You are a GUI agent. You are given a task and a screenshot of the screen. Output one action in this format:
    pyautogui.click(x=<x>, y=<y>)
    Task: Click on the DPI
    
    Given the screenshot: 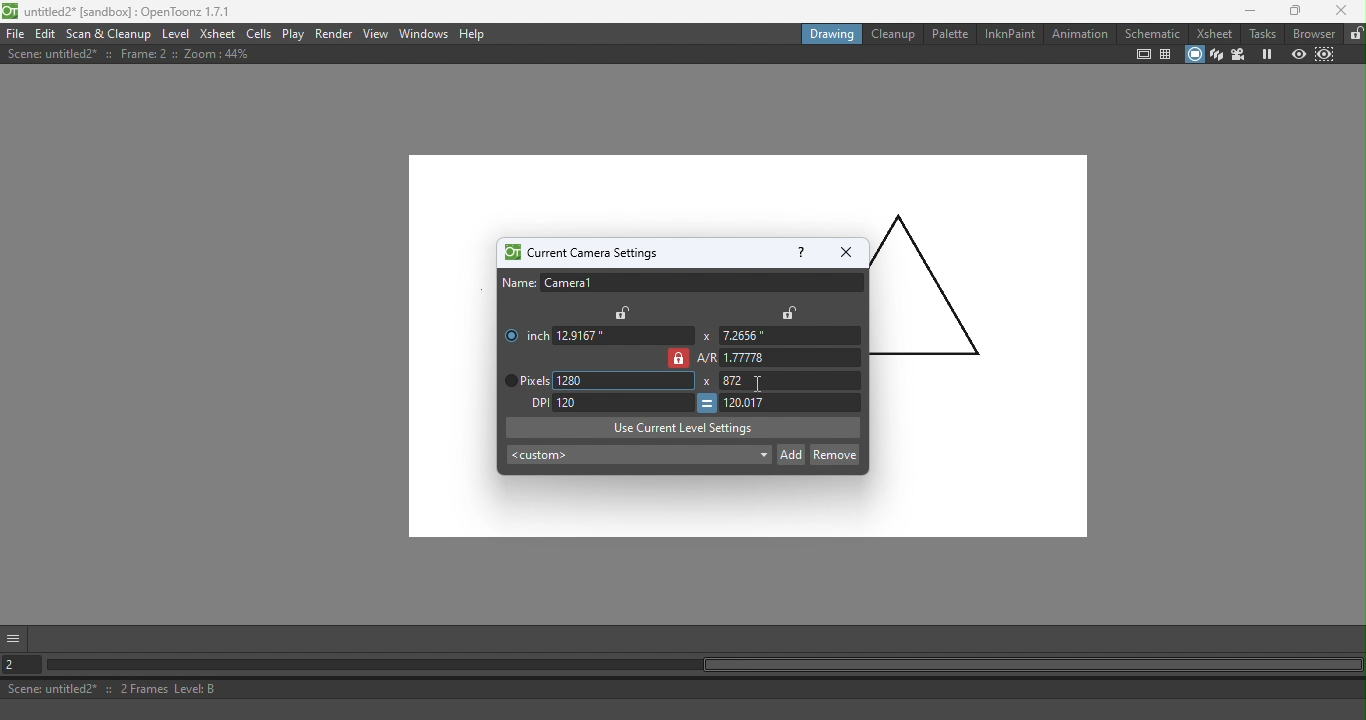 What is the action you would take?
    pyautogui.click(x=534, y=403)
    